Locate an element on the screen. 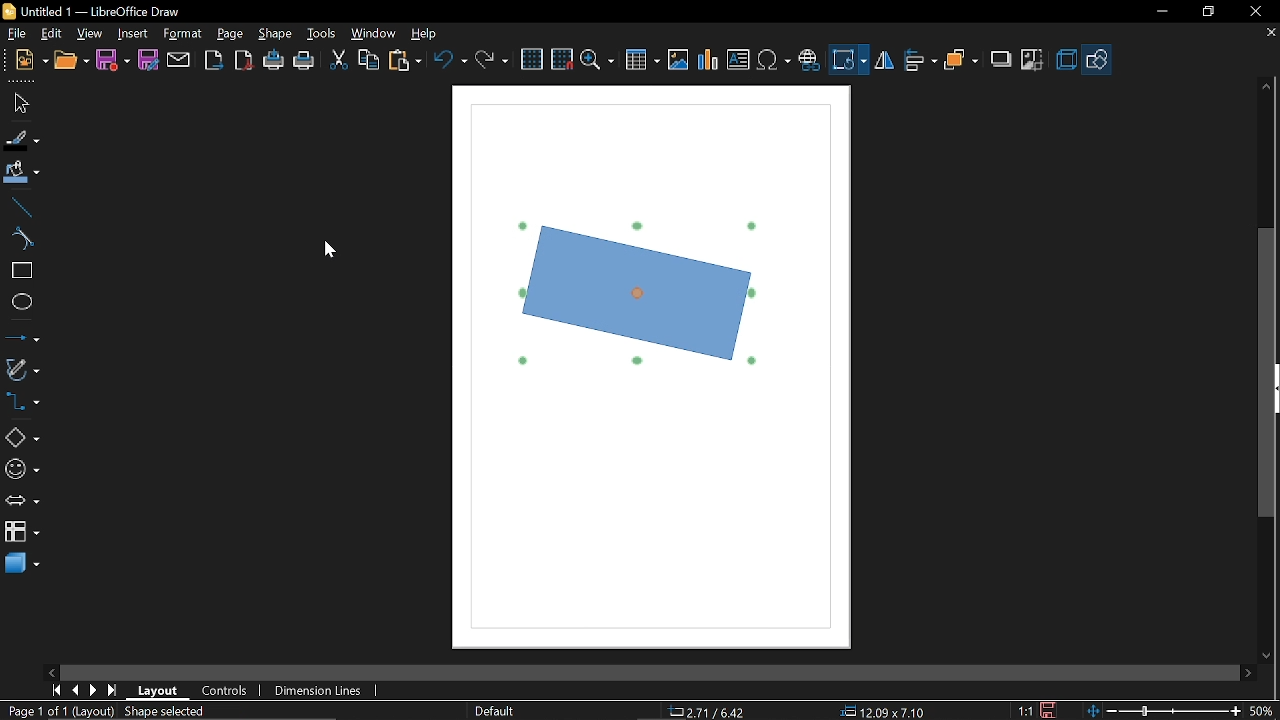 This screenshot has width=1280, height=720. arrows is located at coordinates (22, 503).